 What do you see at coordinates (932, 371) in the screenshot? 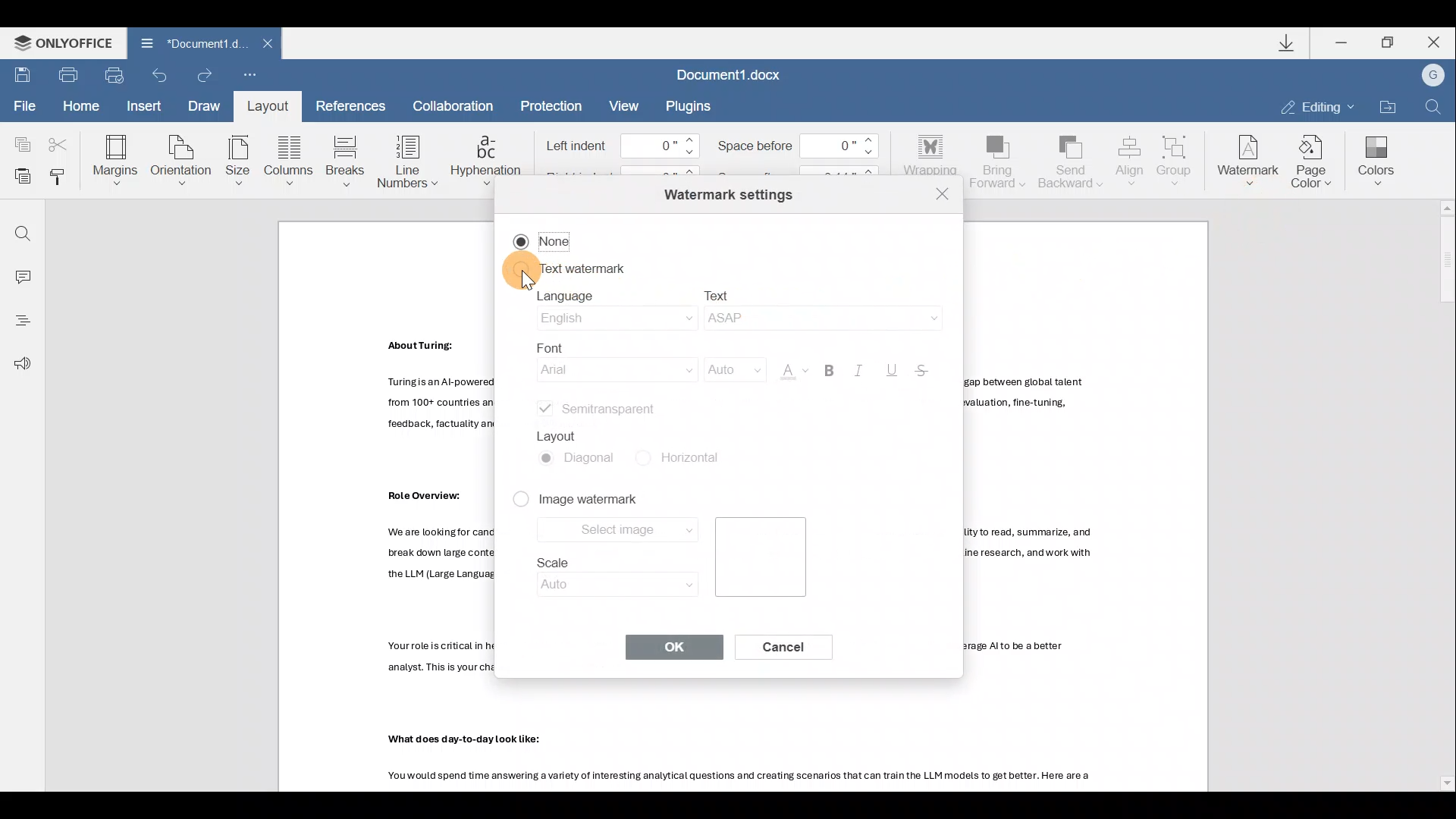
I see `Strikethrough` at bounding box center [932, 371].